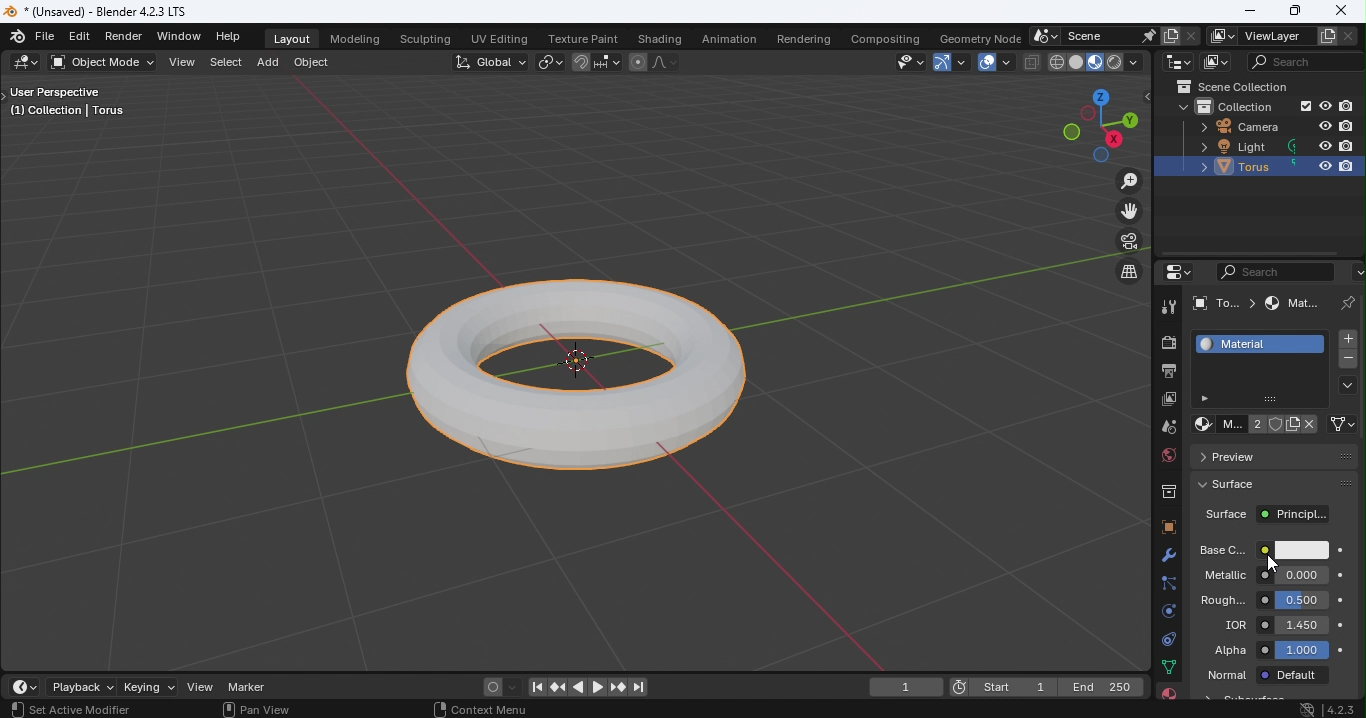 The image size is (1366, 718). What do you see at coordinates (1321, 166) in the screenshot?
I see `Hide in viewpoint` at bounding box center [1321, 166].